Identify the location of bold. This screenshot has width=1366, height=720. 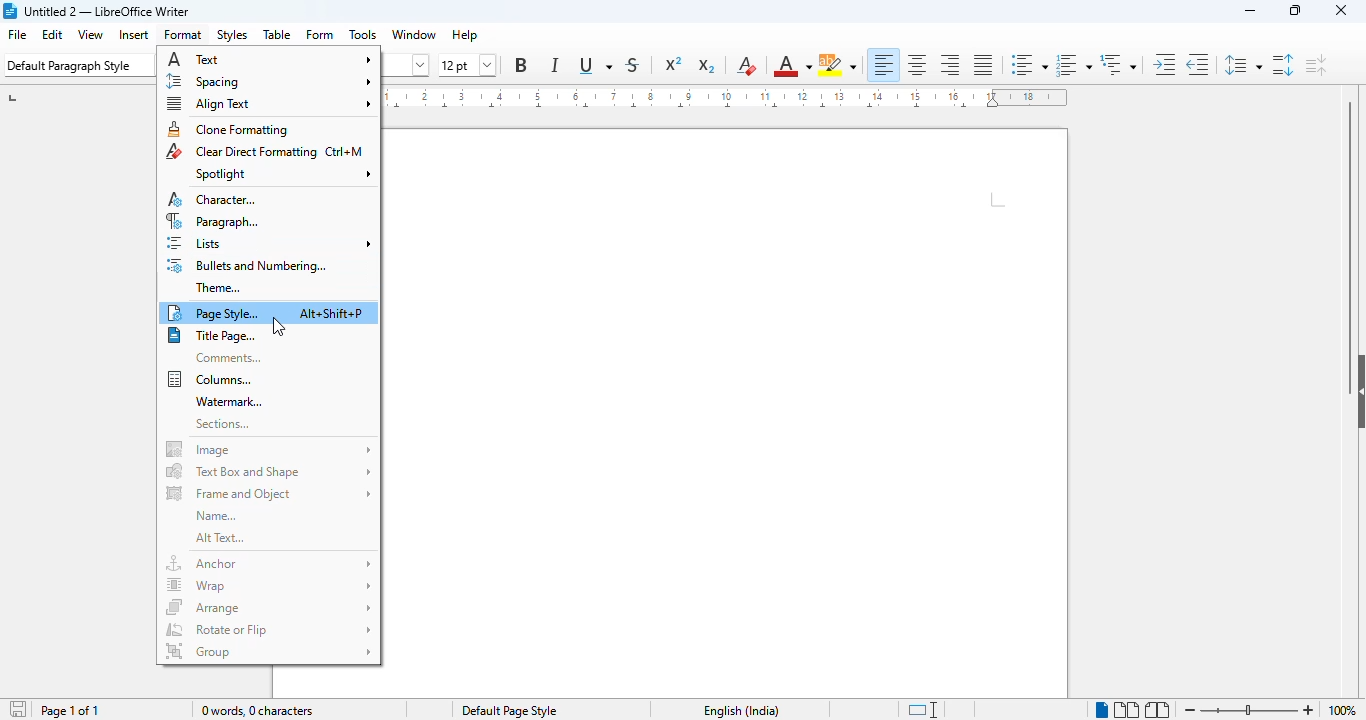
(521, 65).